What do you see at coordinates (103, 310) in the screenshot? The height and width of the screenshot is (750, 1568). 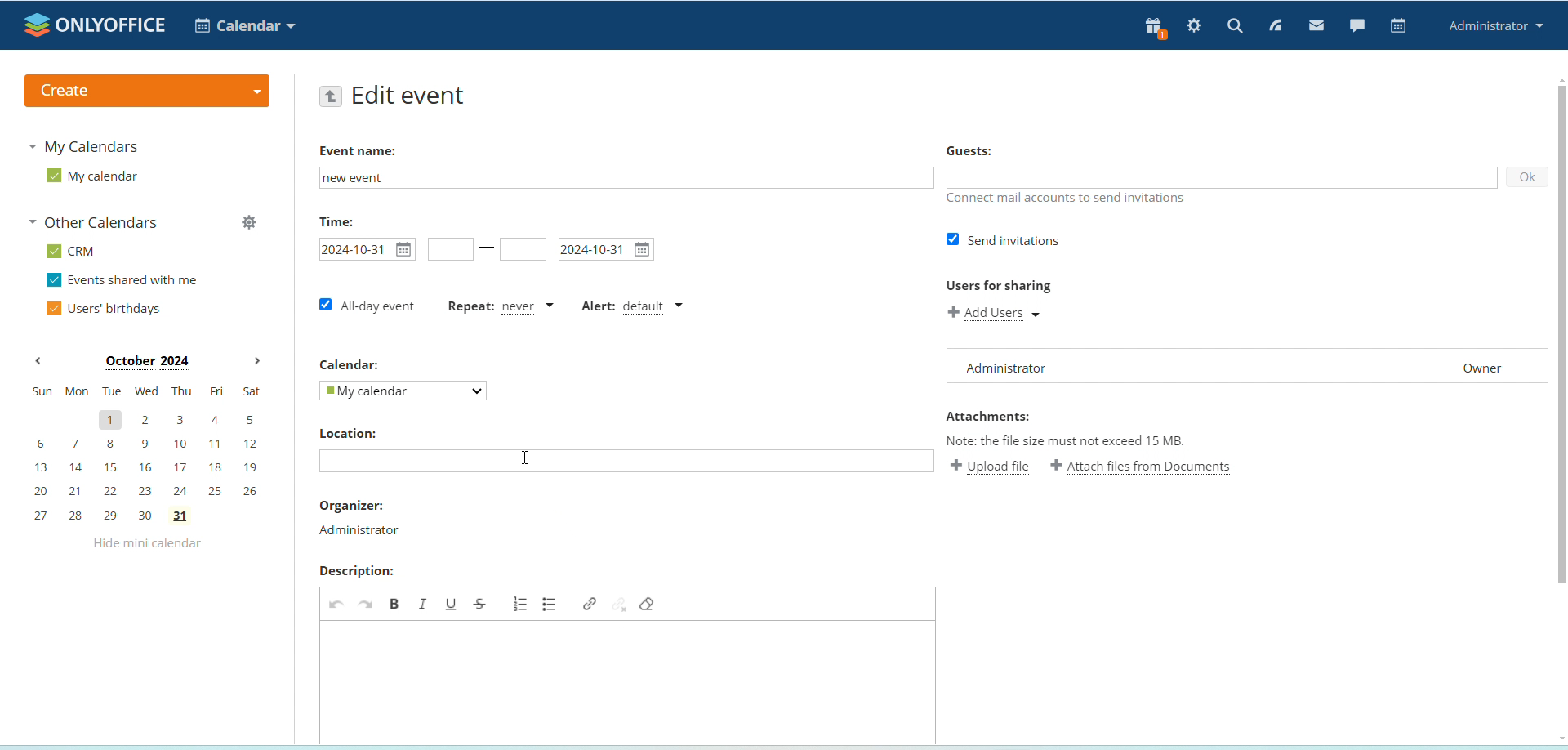 I see `users' birthdays` at bounding box center [103, 310].